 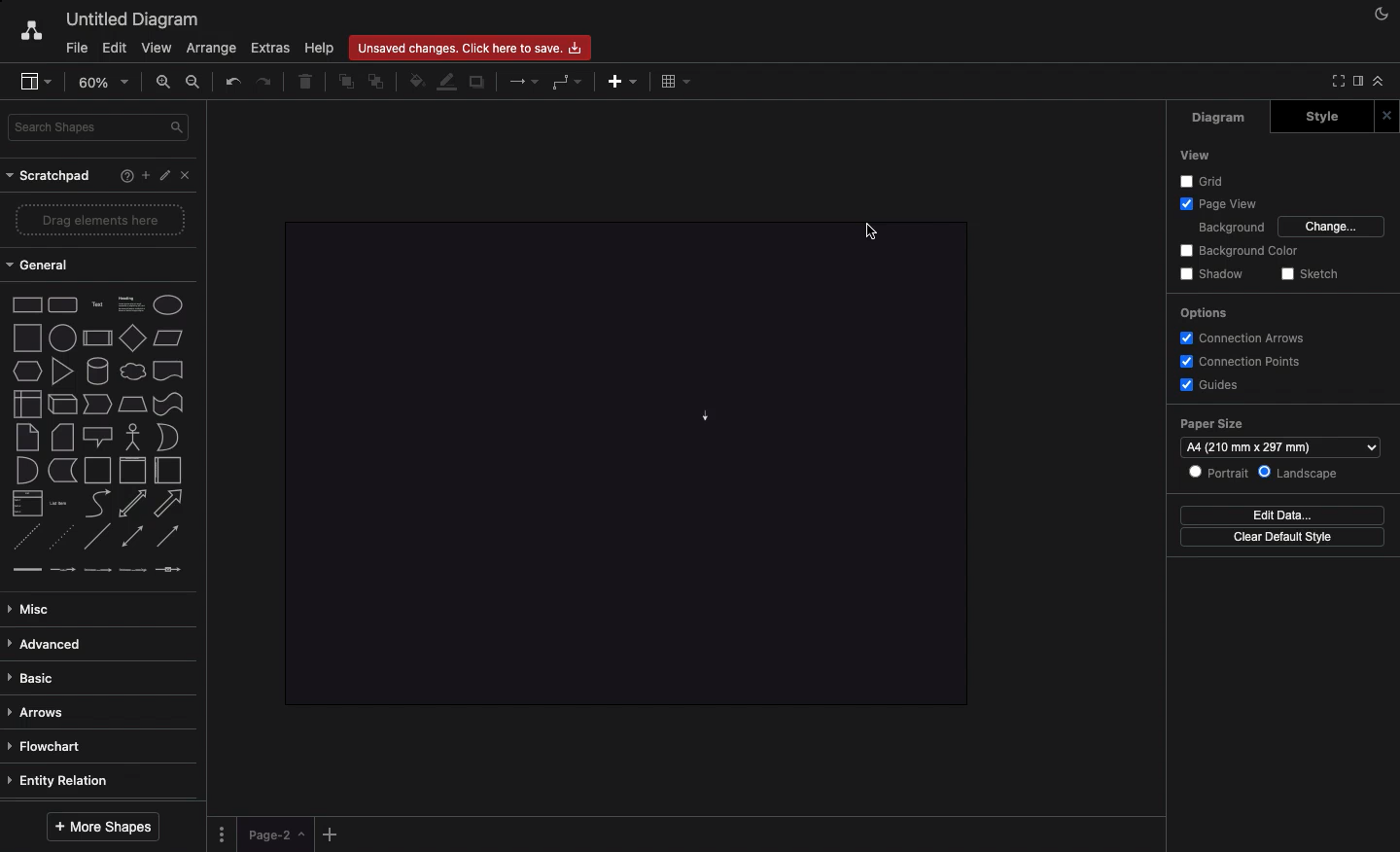 I want to click on Edit data, so click(x=1281, y=515).